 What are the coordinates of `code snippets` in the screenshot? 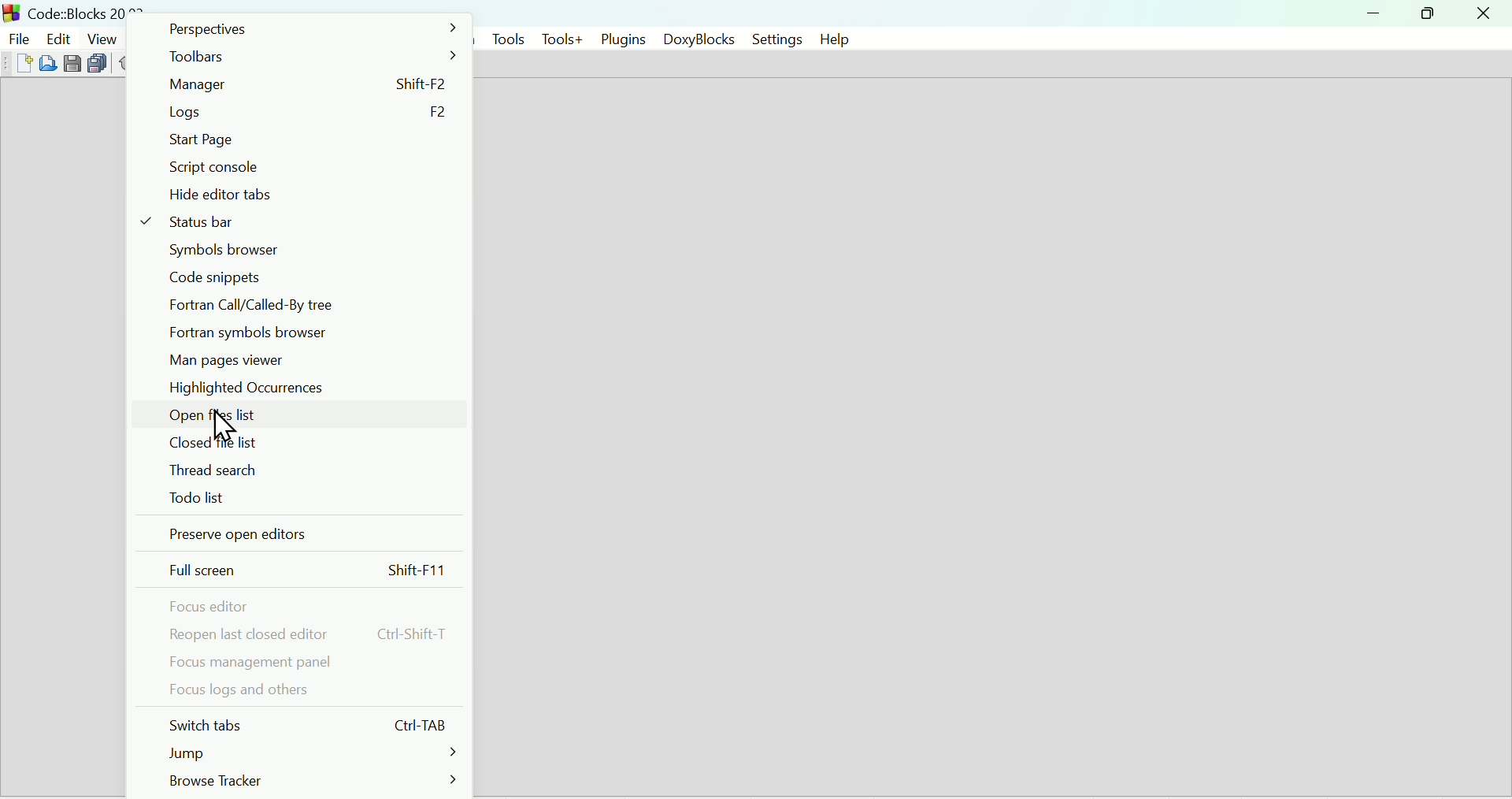 It's located at (302, 278).